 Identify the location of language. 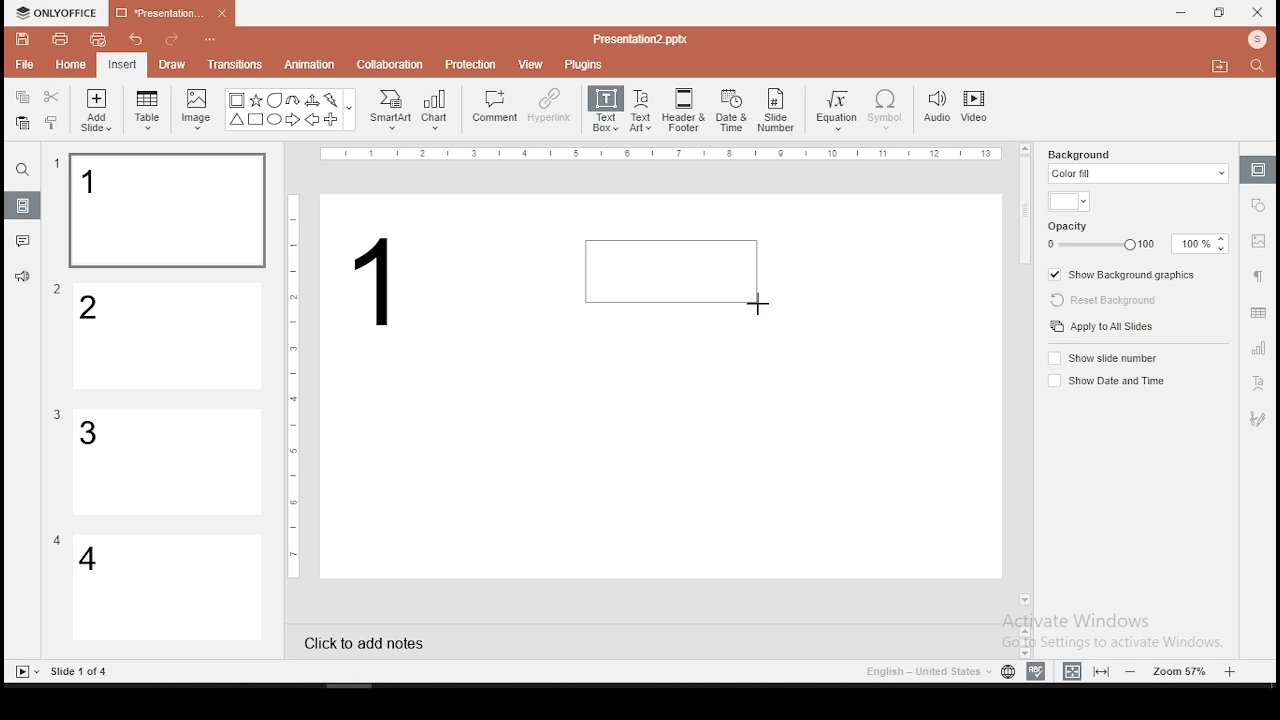
(1007, 672).